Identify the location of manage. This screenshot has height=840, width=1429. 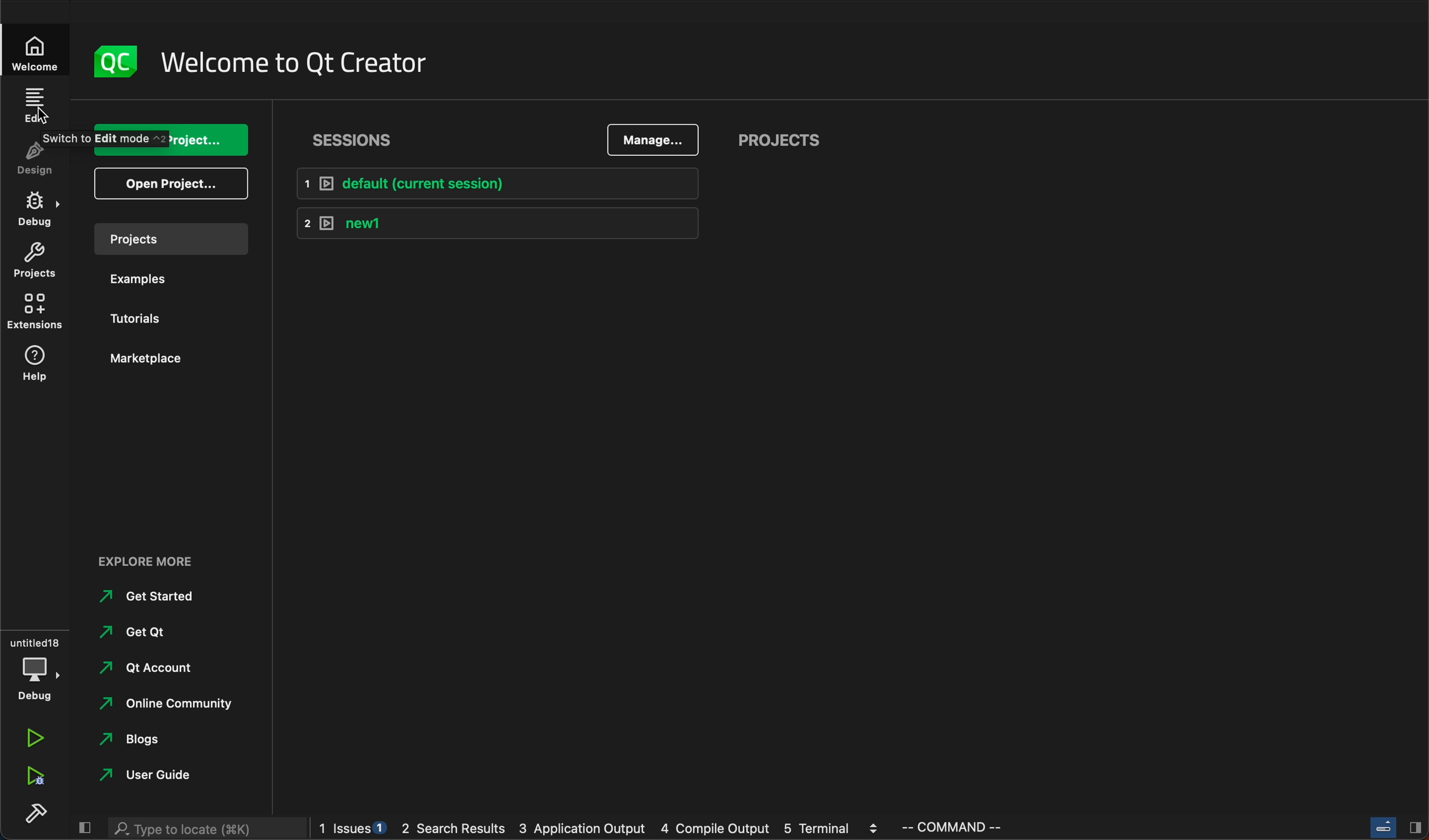
(646, 135).